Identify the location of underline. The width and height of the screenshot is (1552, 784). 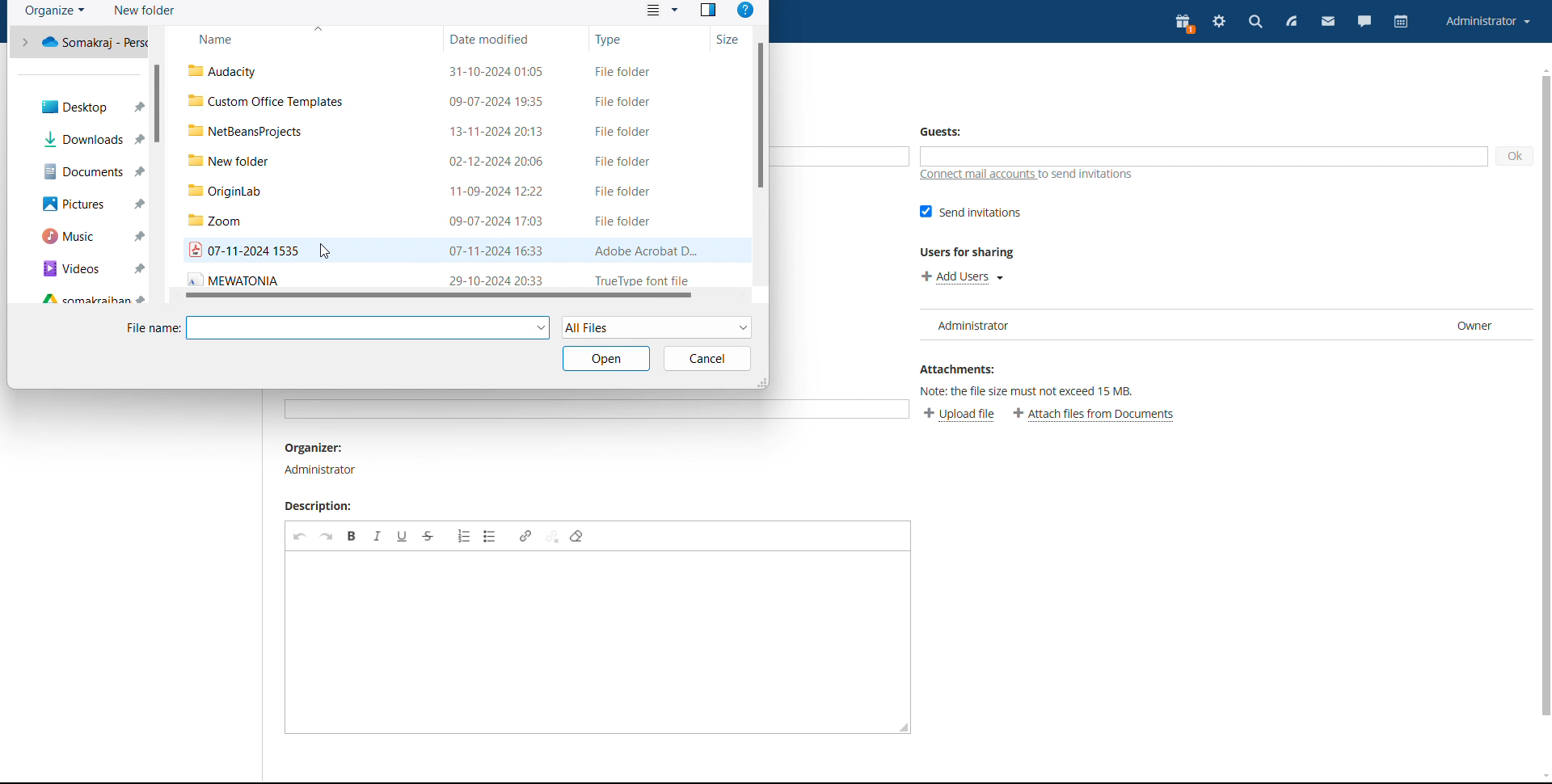
(403, 536).